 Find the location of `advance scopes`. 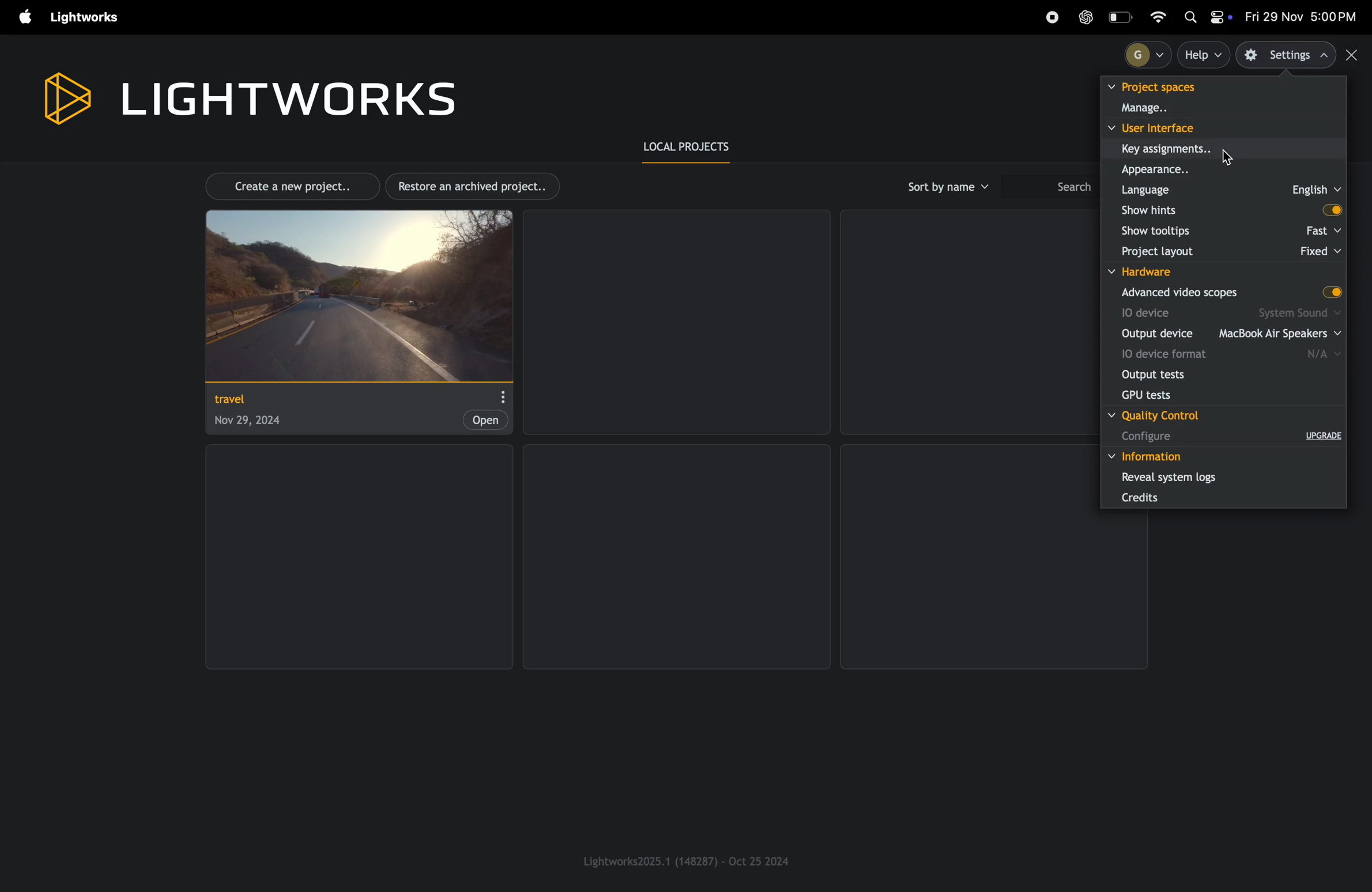

advance scopes is located at coordinates (1183, 294).